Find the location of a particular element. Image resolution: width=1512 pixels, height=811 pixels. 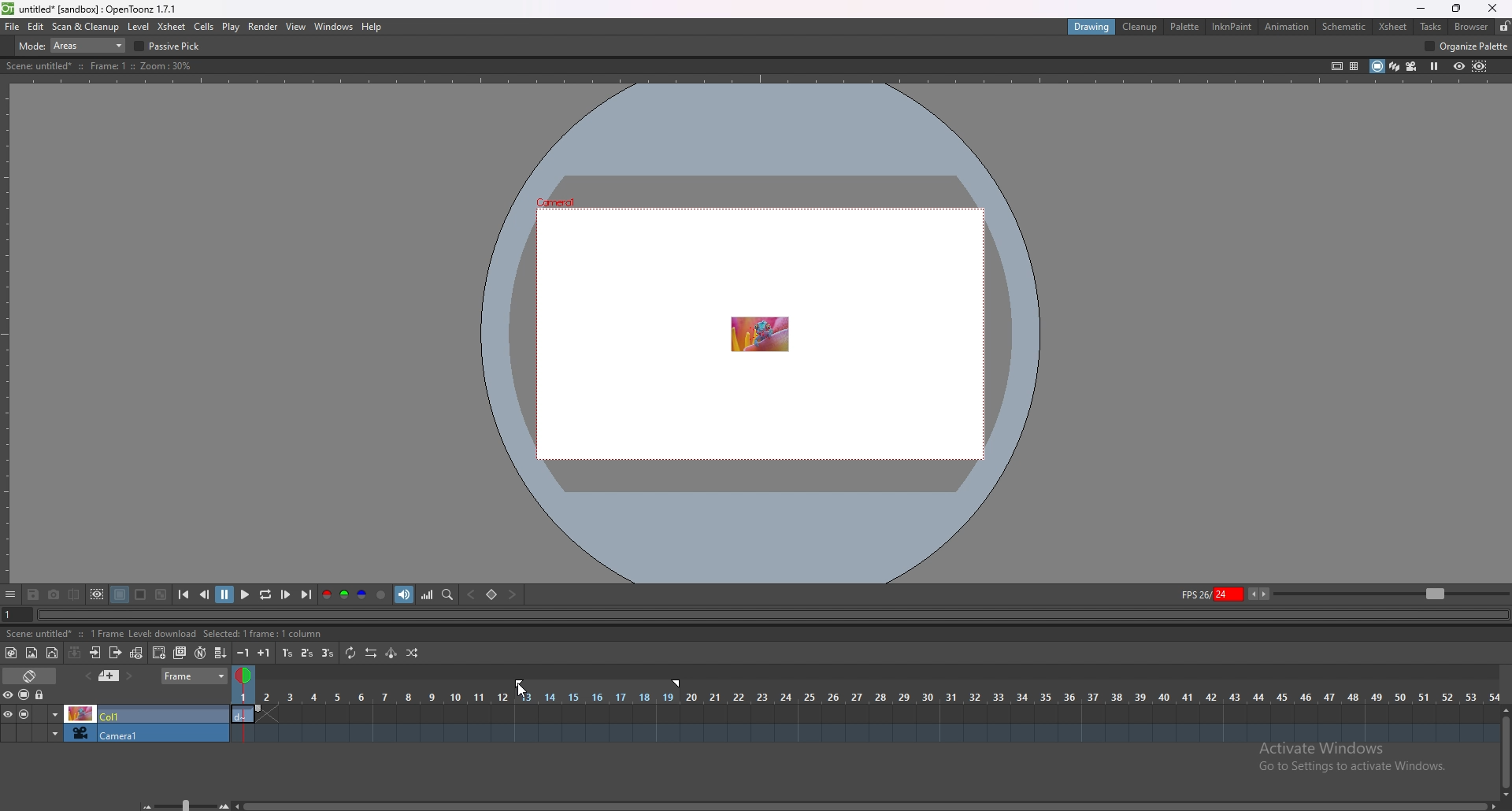

inknpaint is located at coordinates (1232, 26).